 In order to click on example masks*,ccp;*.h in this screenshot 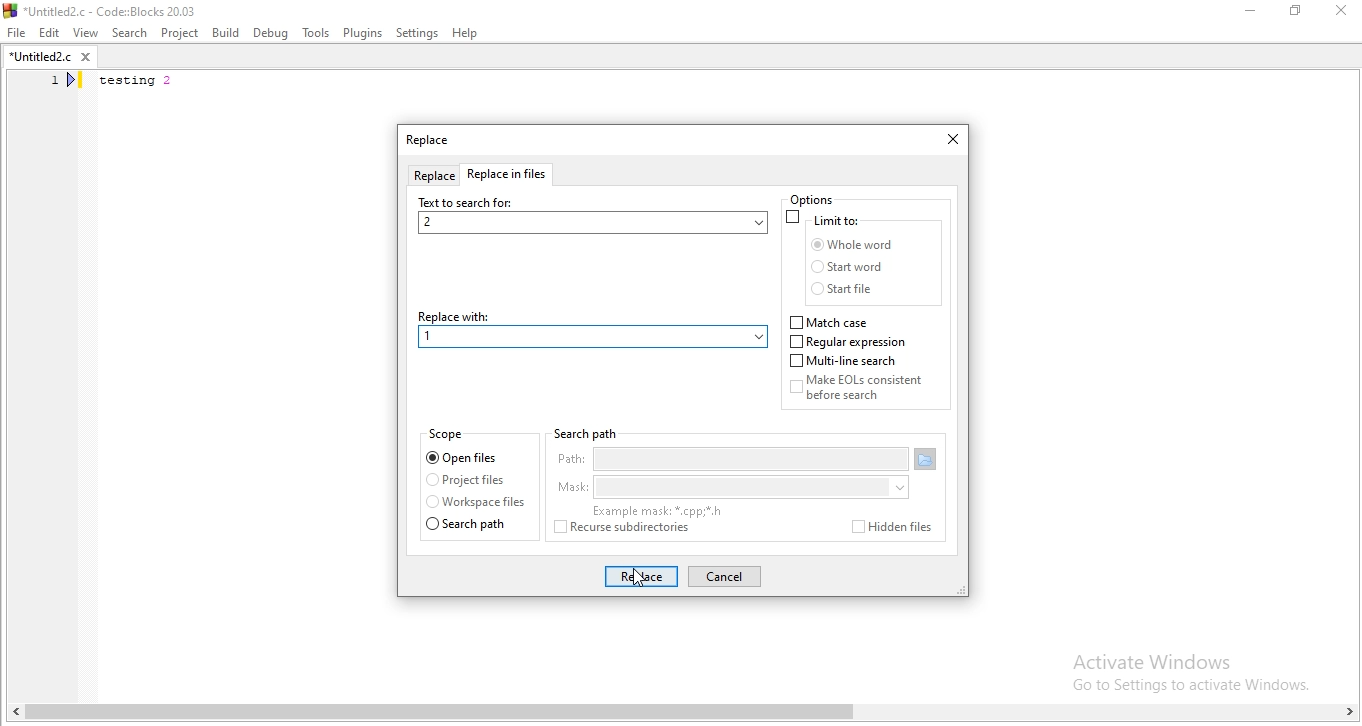, I will do `click(656, 511)`.